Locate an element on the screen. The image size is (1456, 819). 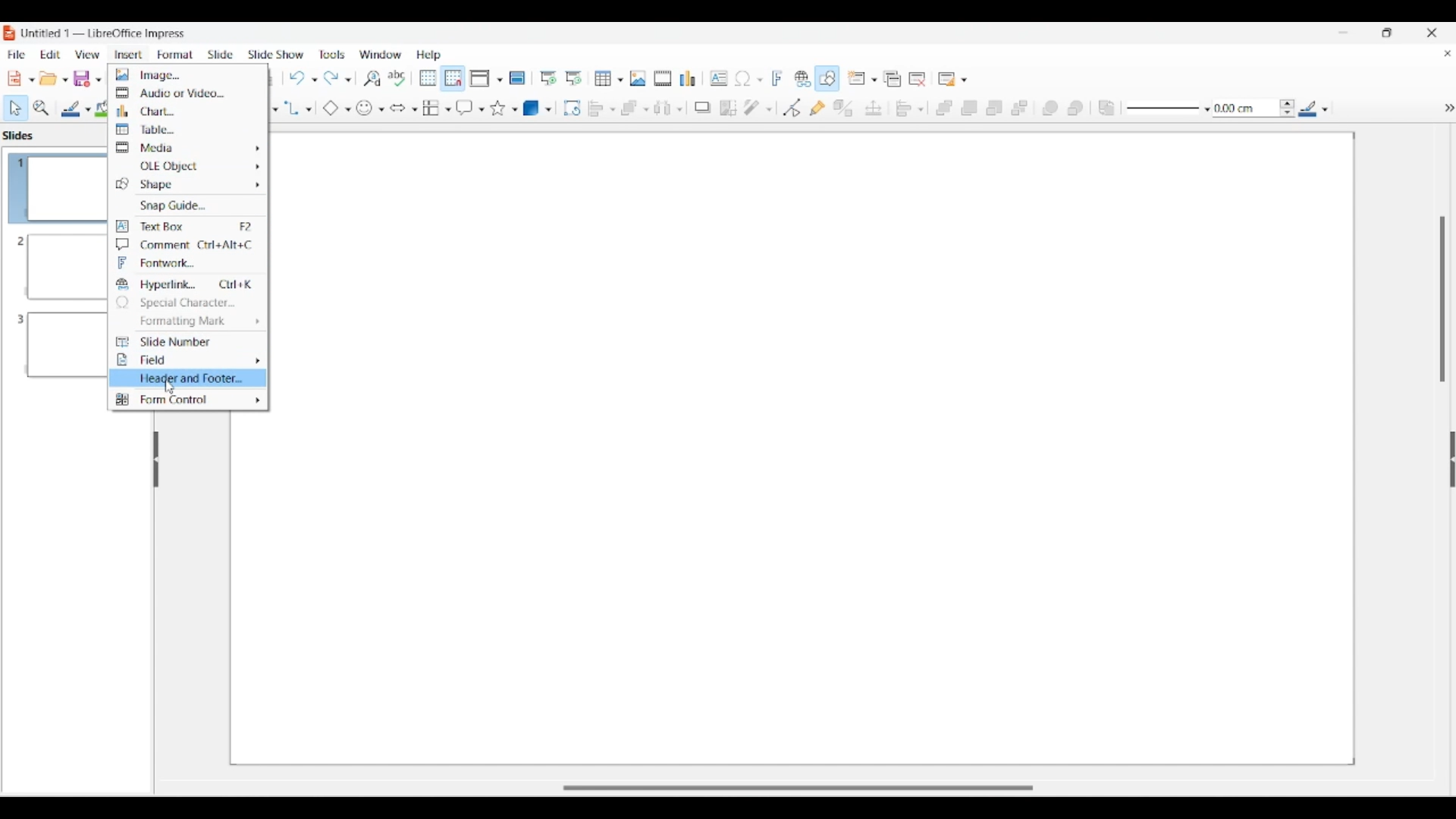
Slider is located at coordinates (809, 783).